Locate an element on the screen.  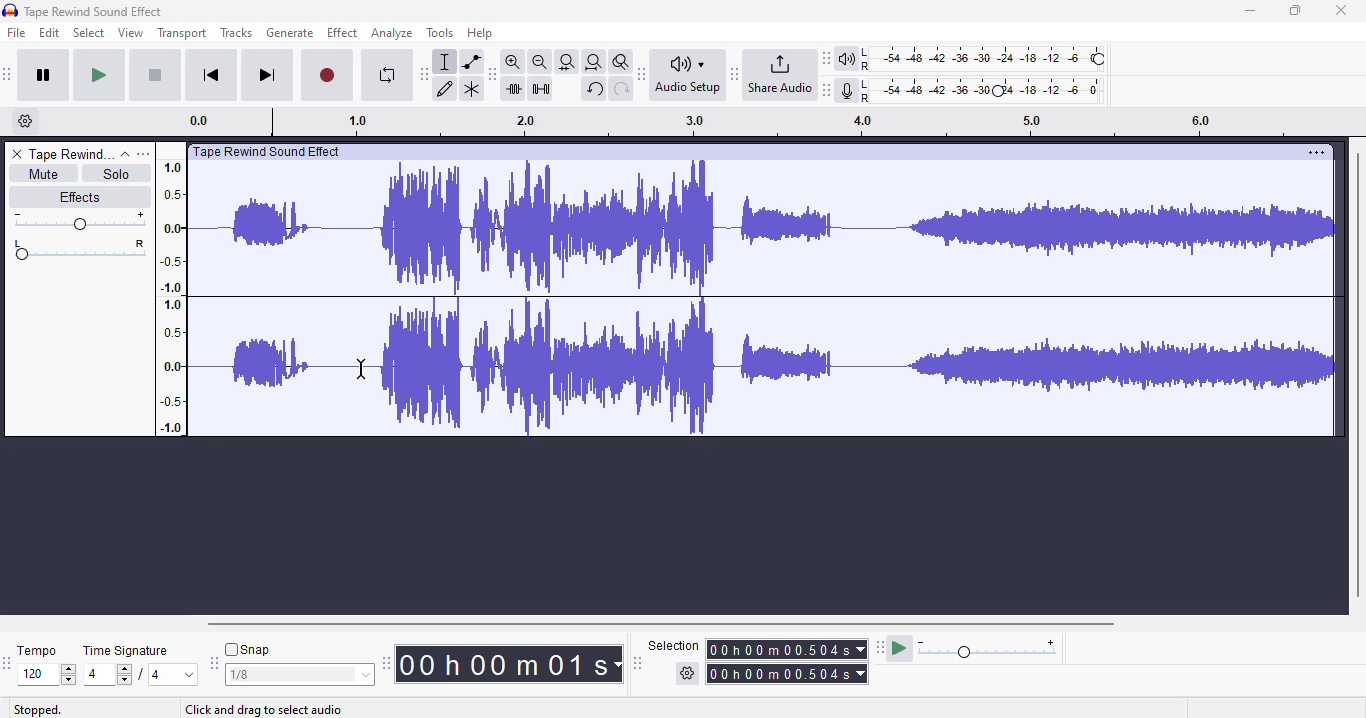
pause is located at coordinates (44, 75).